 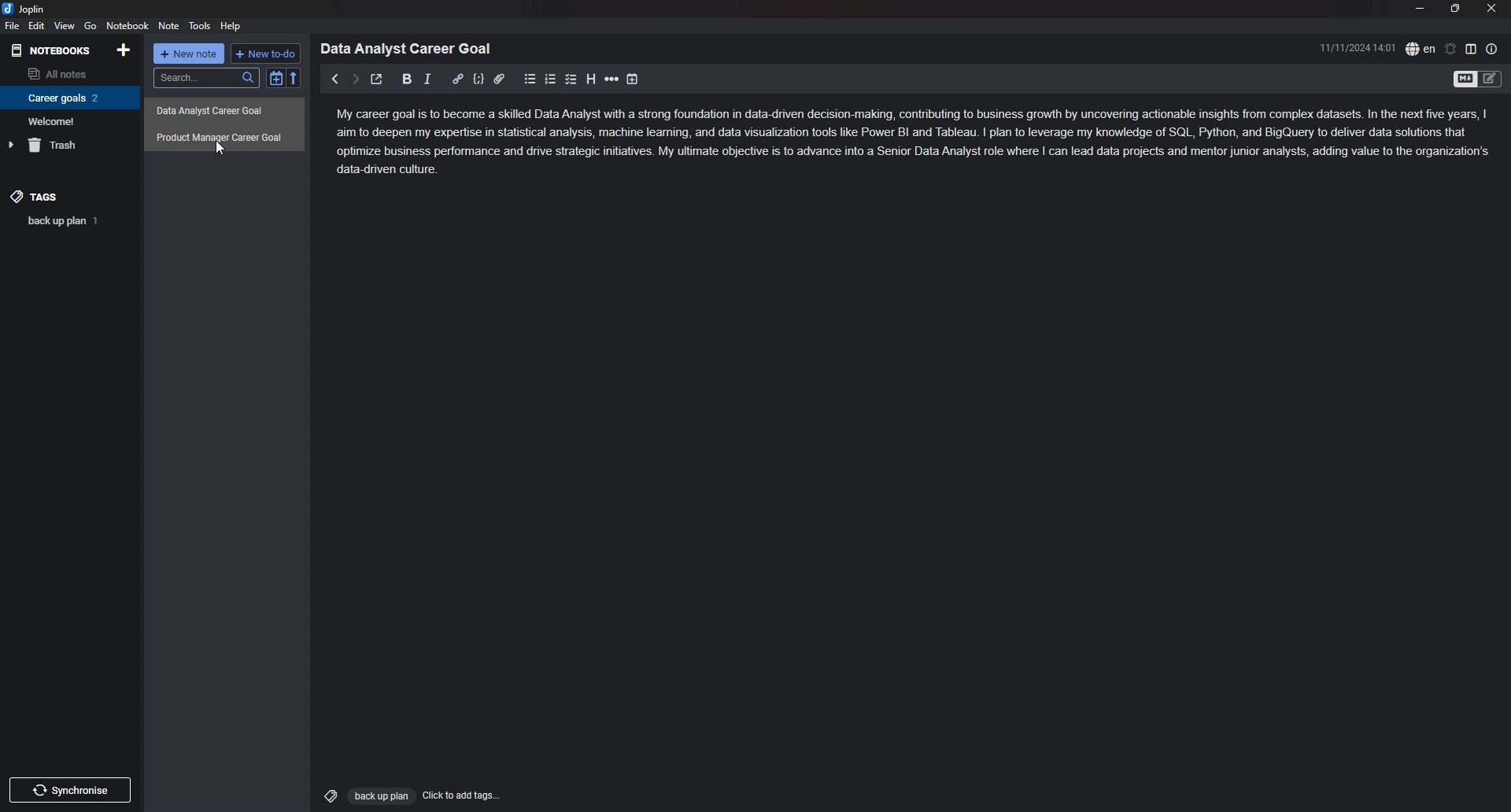 I want to click on Welcome!, so click(x=66, y=120).